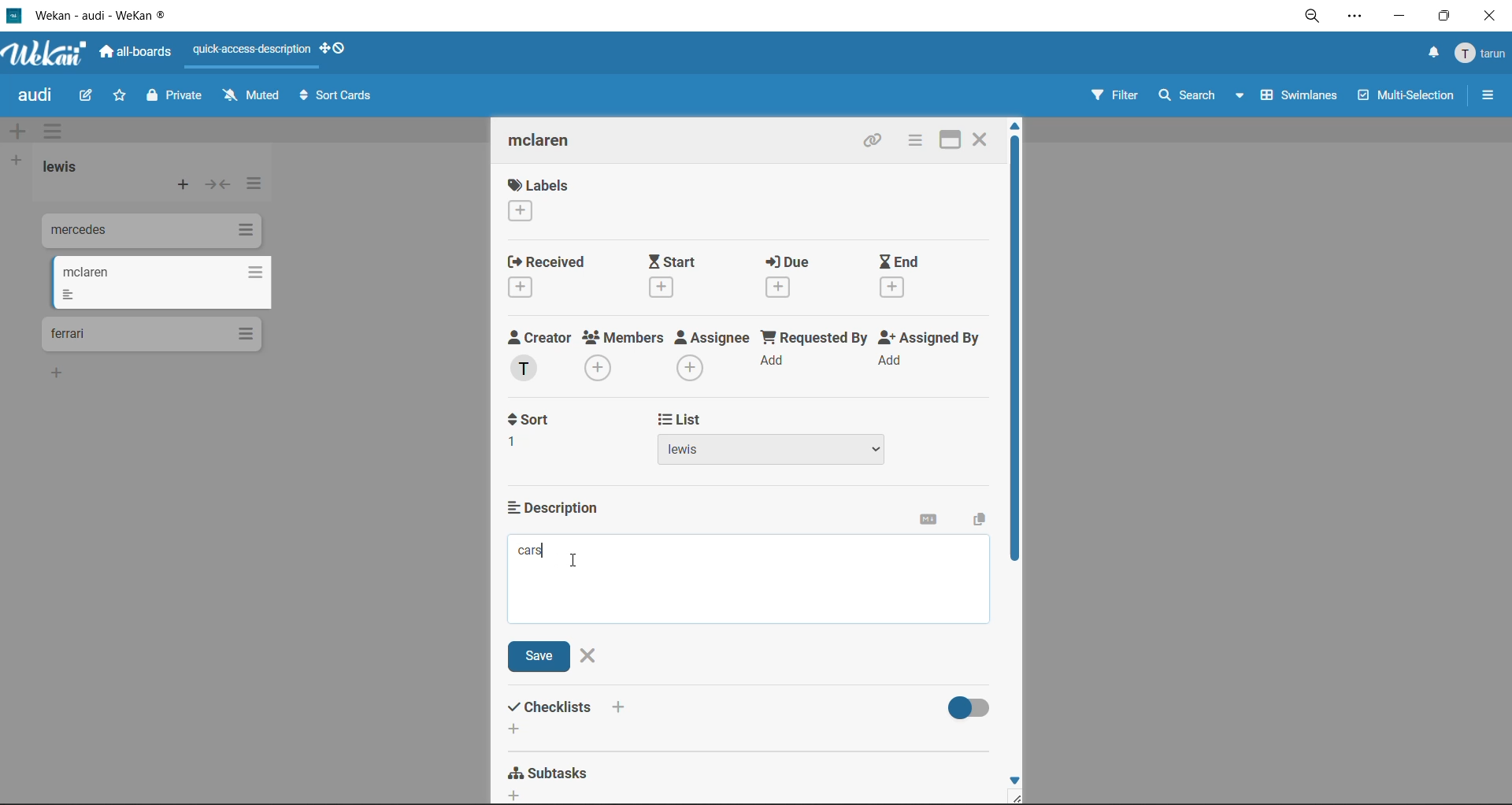  I want to click on minimize, so click(1398, 14).